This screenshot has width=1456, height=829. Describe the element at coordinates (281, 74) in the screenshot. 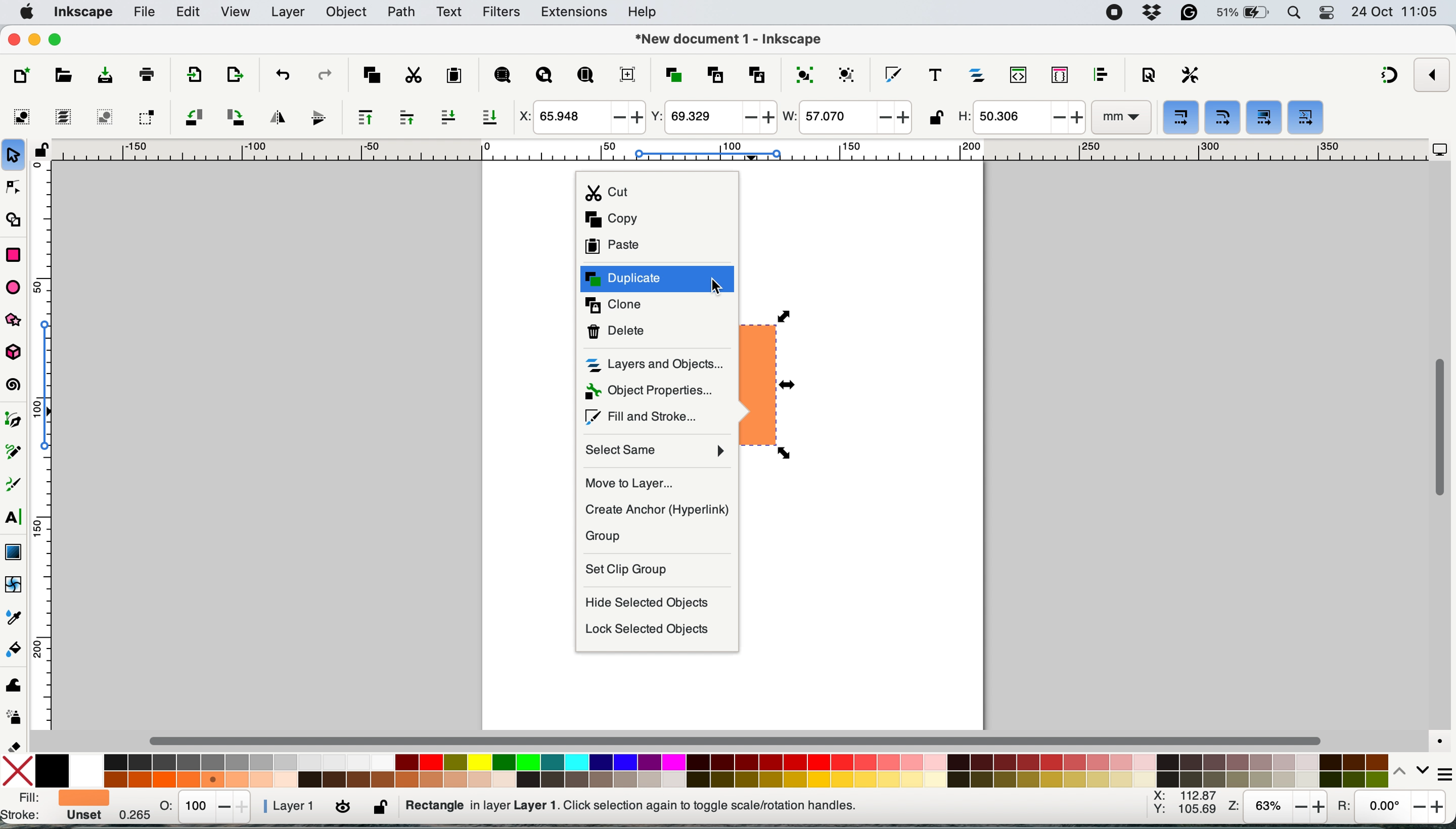

I see `undo` at that location.